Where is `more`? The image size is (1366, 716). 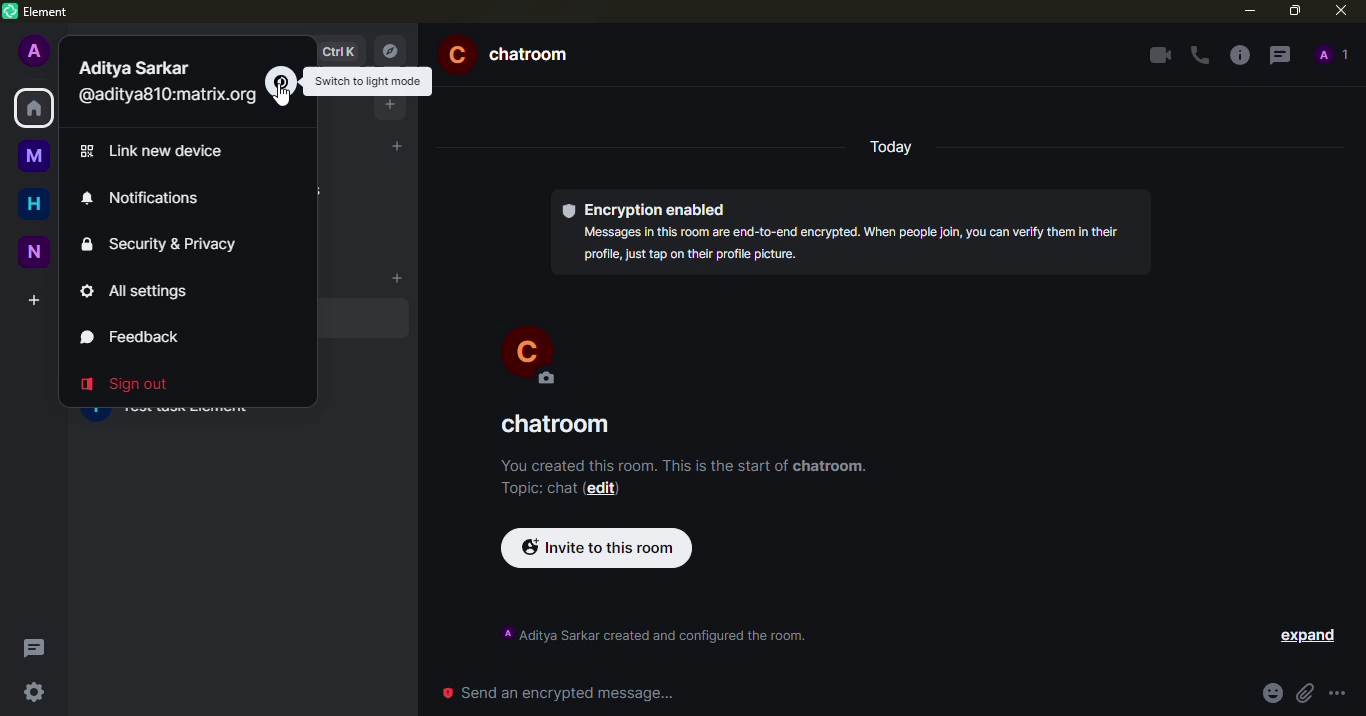 more is located at coordinates (1341, 694).